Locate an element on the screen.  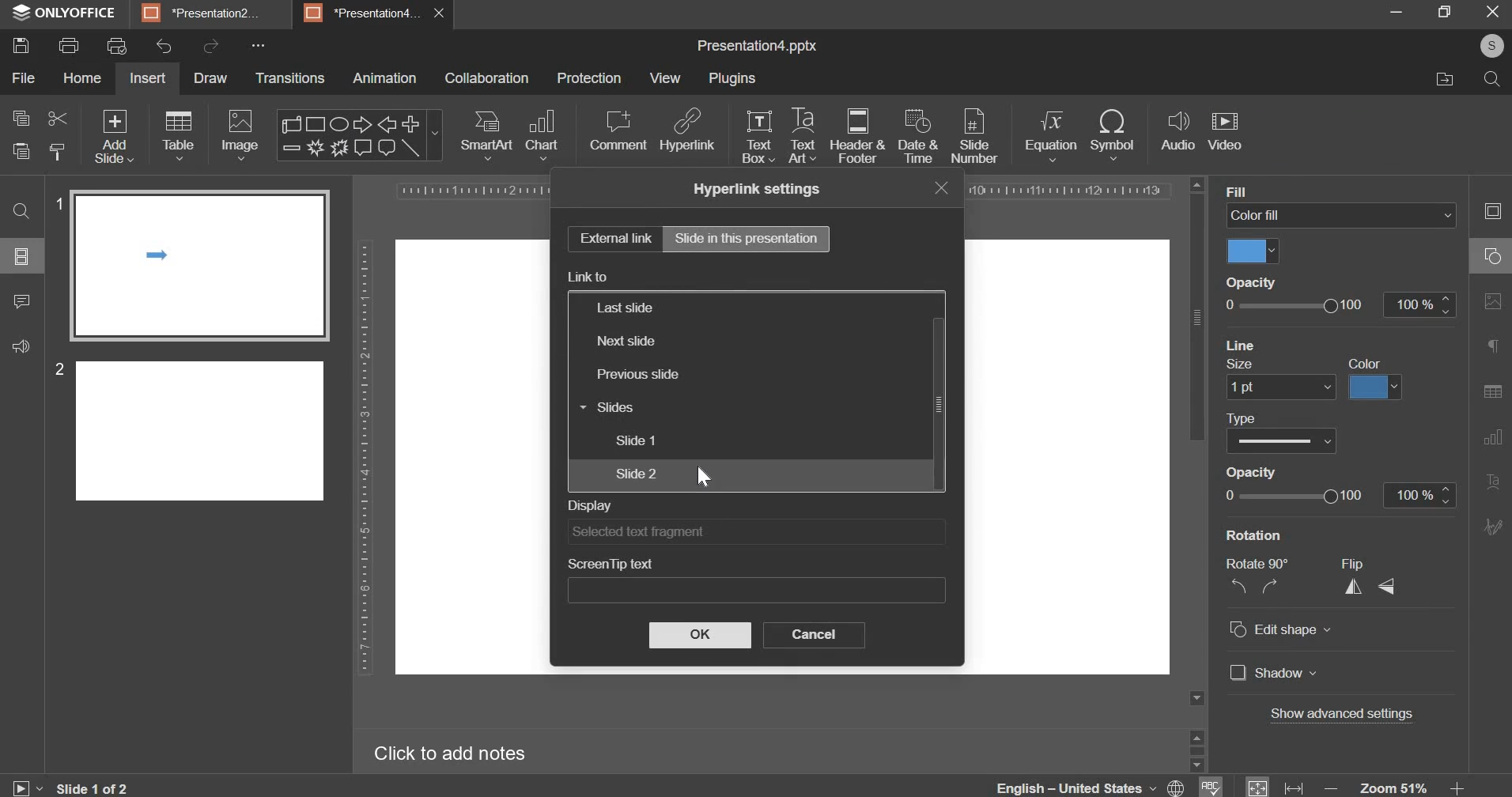
apply to all slides is located at coordinates (1370, 363).